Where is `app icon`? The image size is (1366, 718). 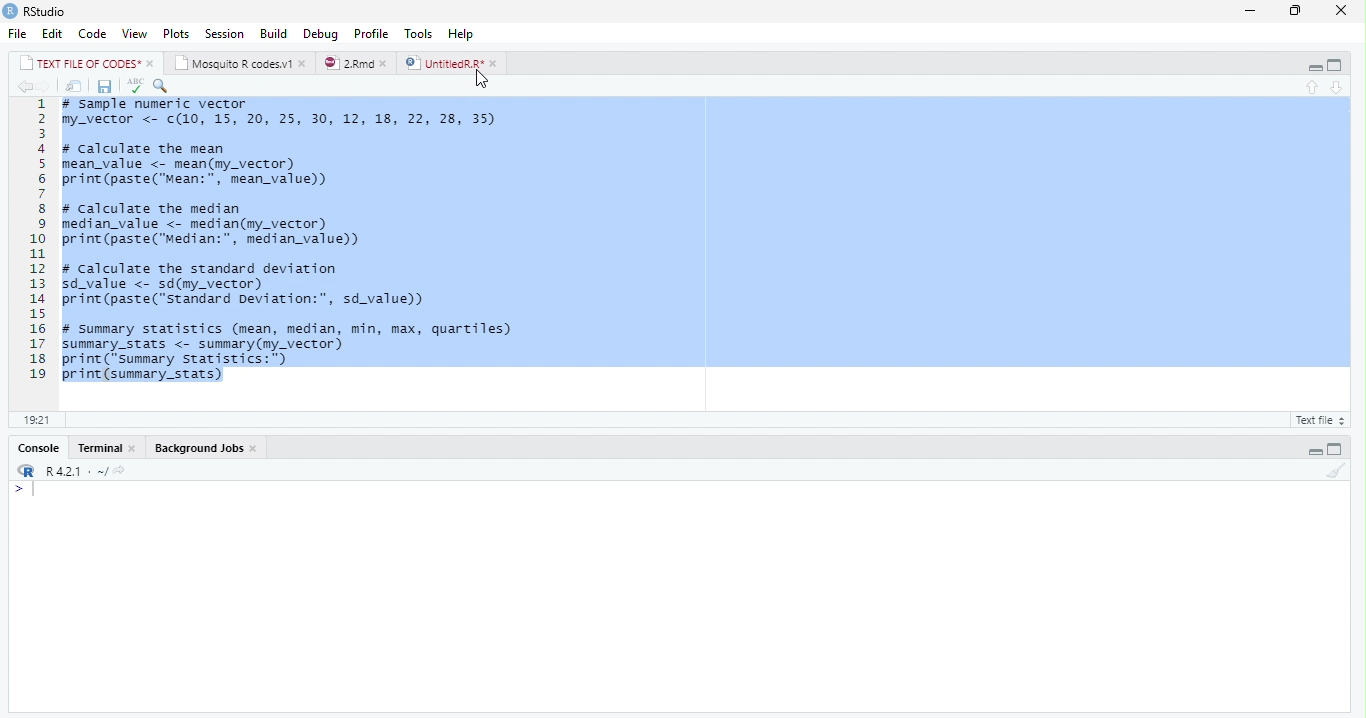 app icon is located at coordinates (10, 10).